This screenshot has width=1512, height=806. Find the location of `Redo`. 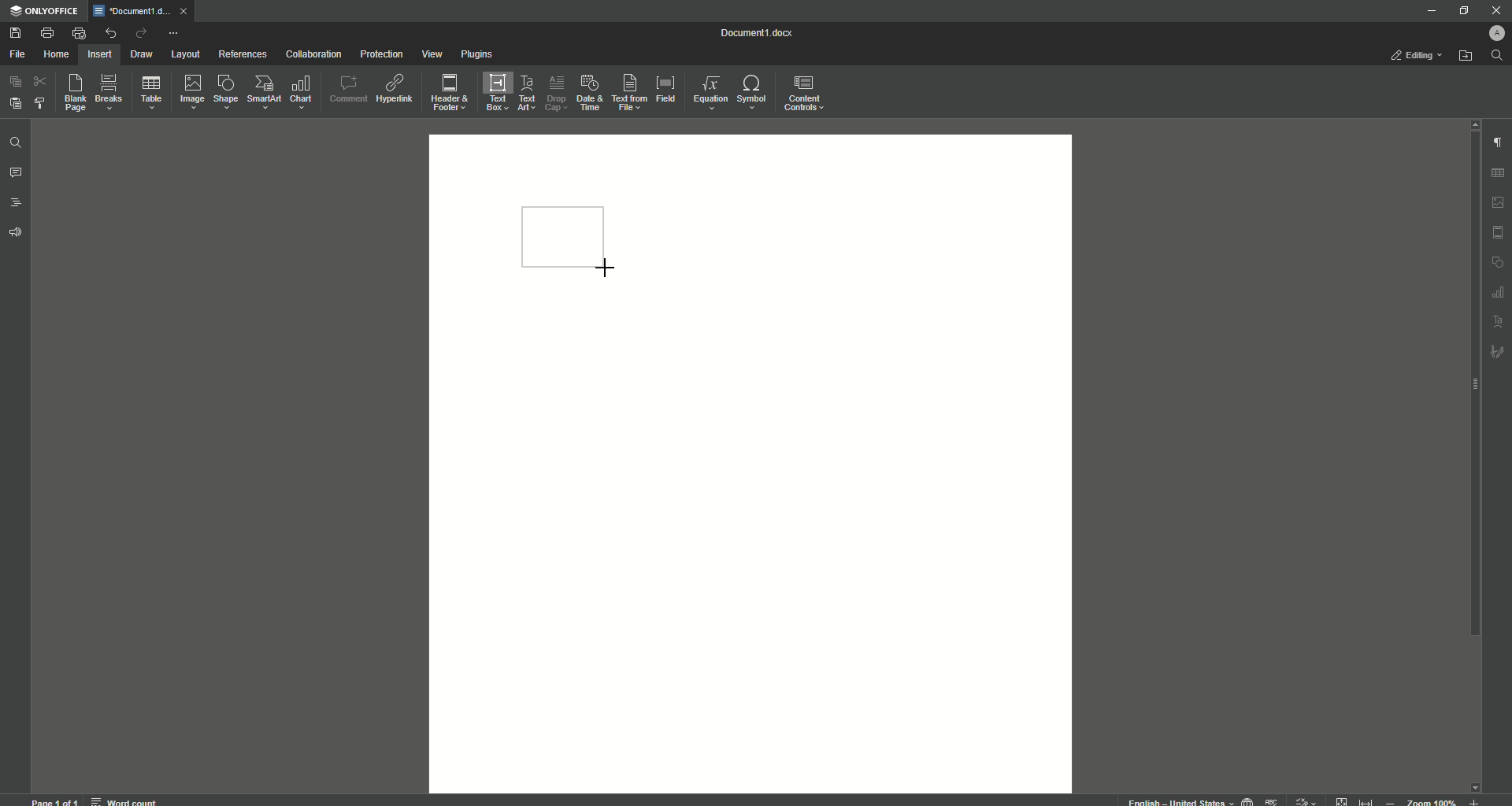

Redo is located at coordinates (140, 35).